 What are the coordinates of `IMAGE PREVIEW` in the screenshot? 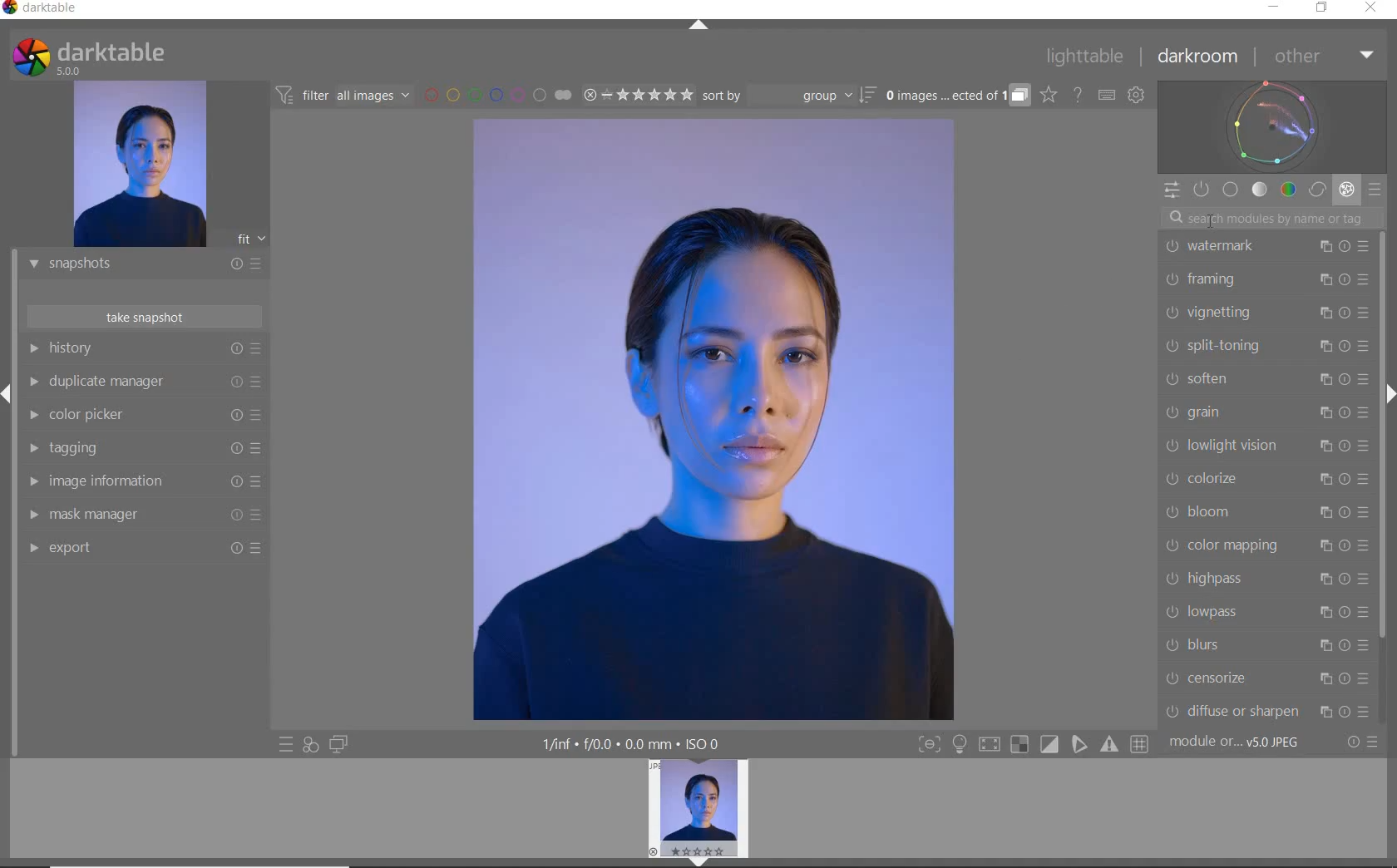 It's located at (698, 806).